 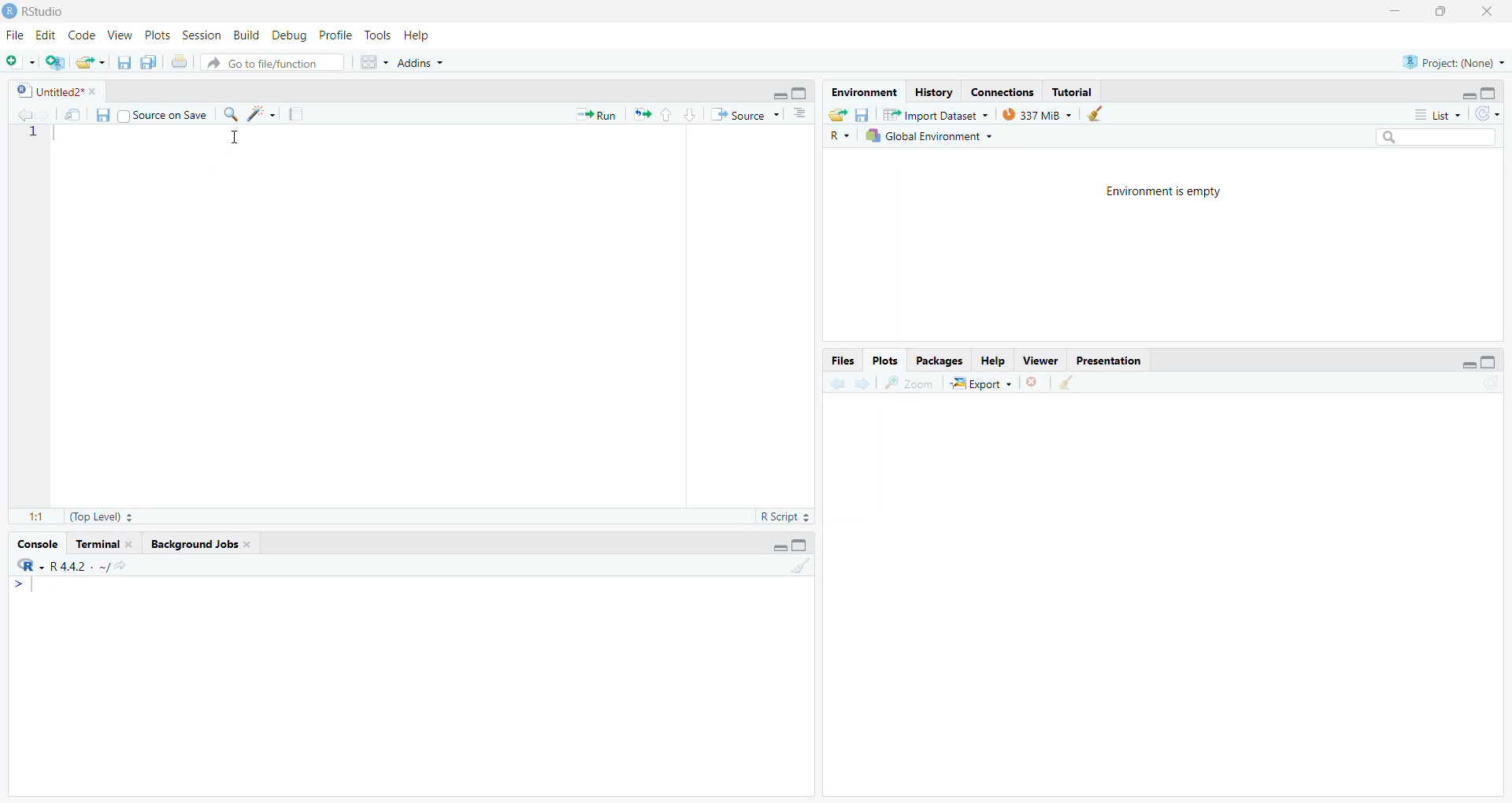 I want to click on clear current plot, so click(x=1036, y=383).